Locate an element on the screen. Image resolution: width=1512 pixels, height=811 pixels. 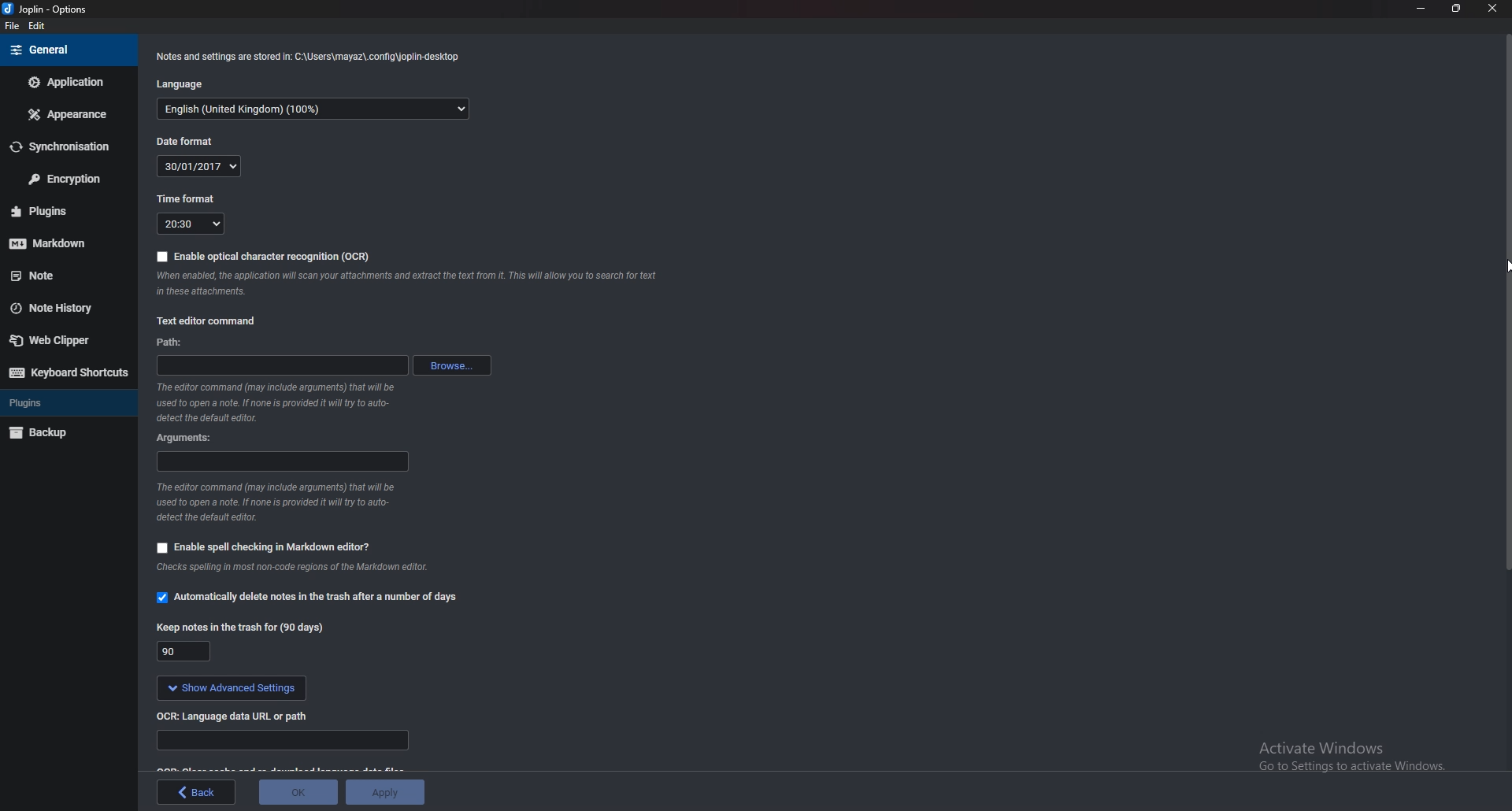
Back is located at coordinates (197, 792).